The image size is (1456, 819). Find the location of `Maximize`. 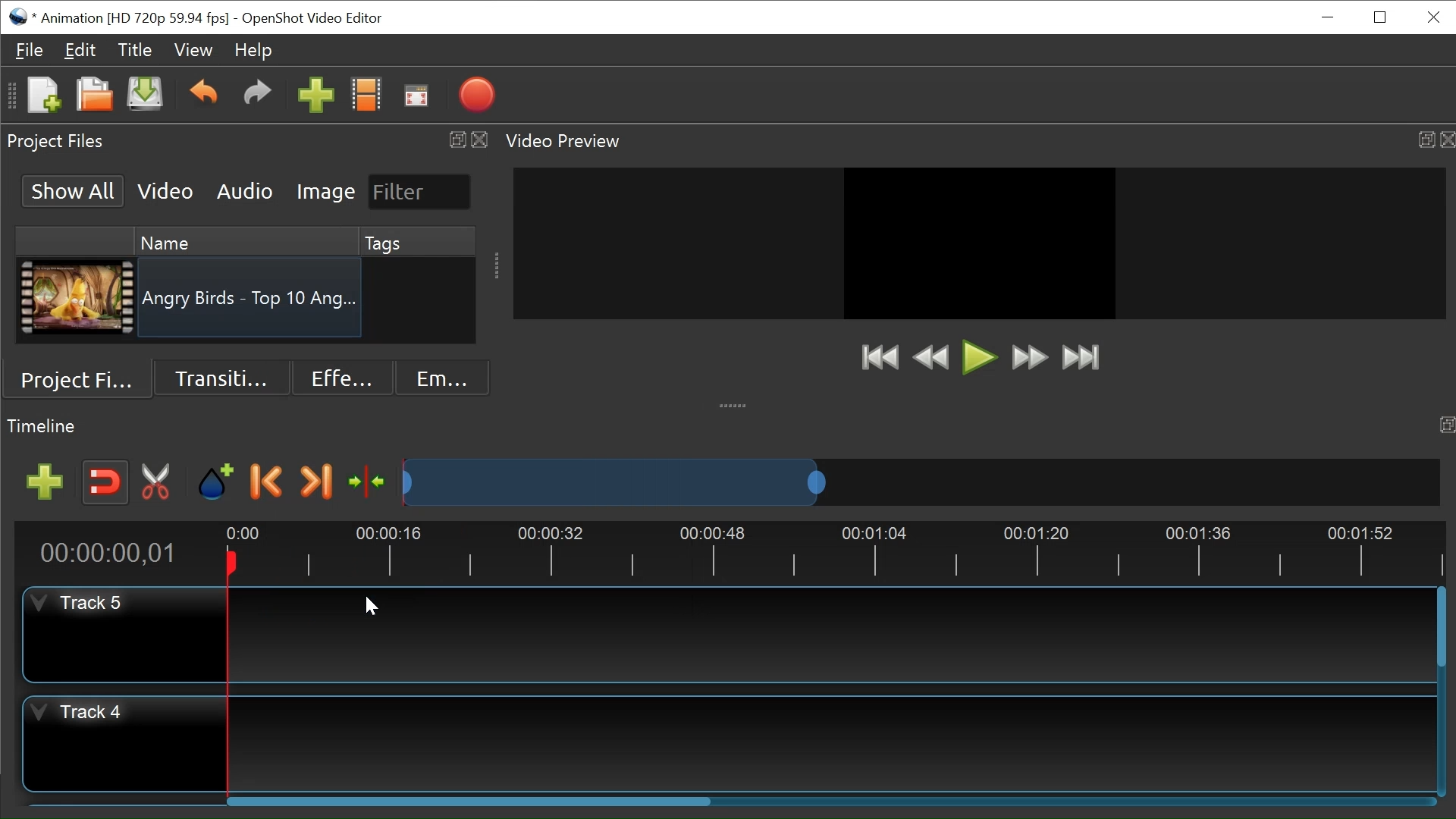

Maximize is located at coordinates (453, 140).